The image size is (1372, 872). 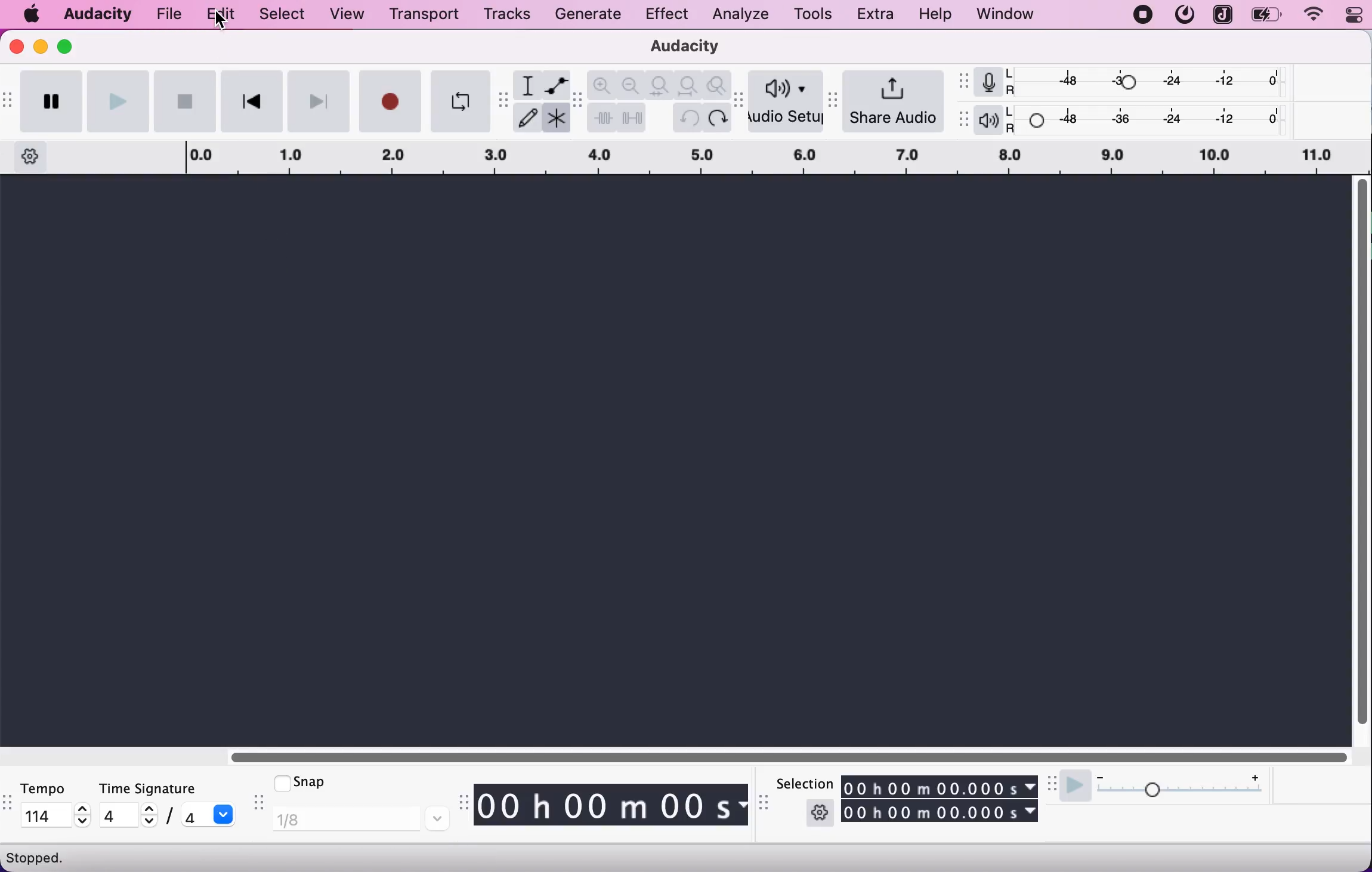 I want to click on recording level, so click(x=1148, y=81).